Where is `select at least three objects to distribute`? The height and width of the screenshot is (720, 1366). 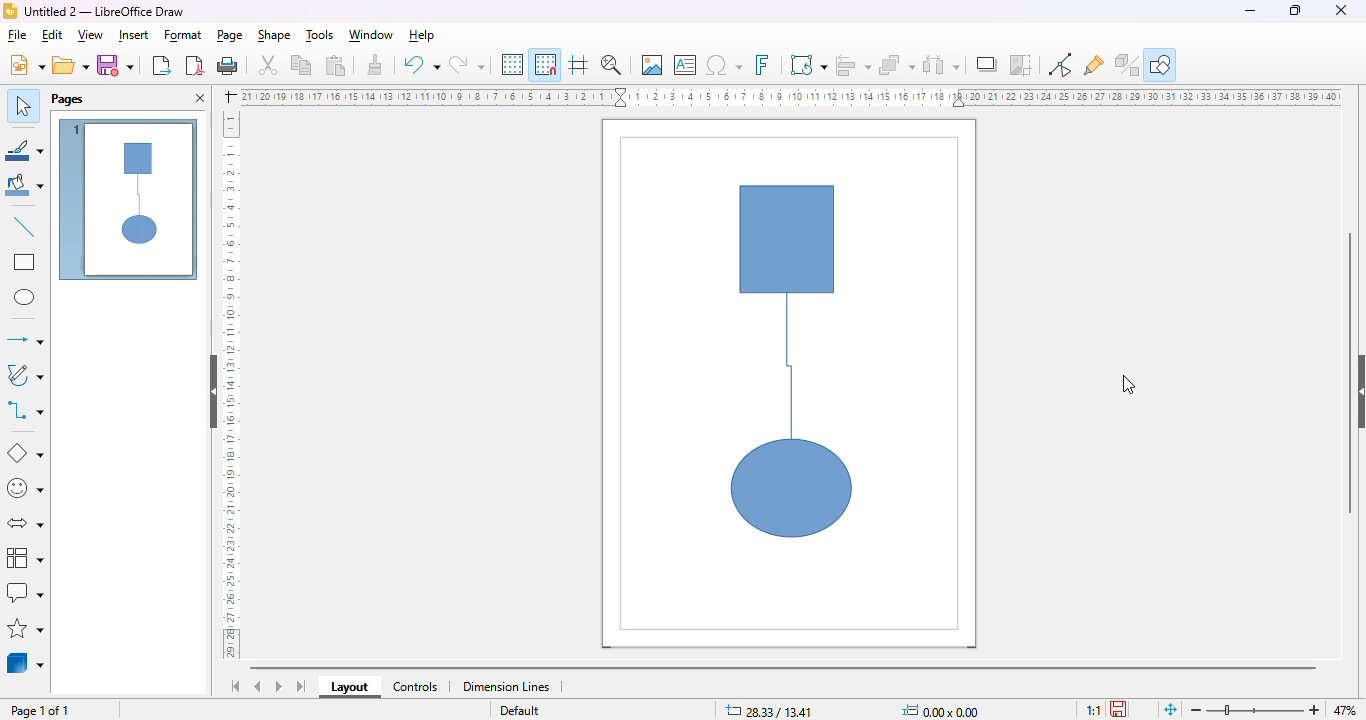 select at least three objects to distribute is located at coordinates (942, 65).